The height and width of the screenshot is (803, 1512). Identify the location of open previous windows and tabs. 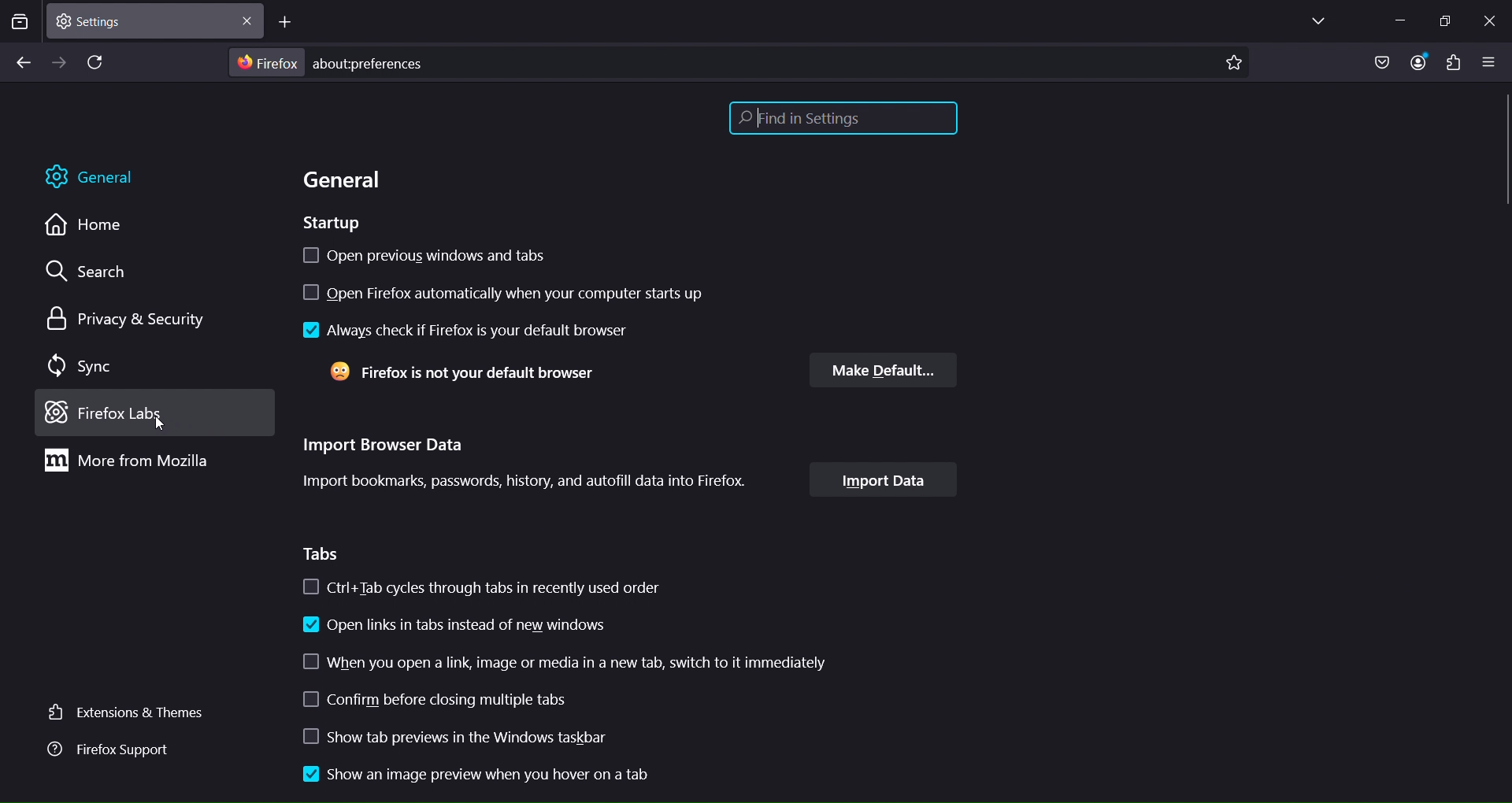
(447, 258).